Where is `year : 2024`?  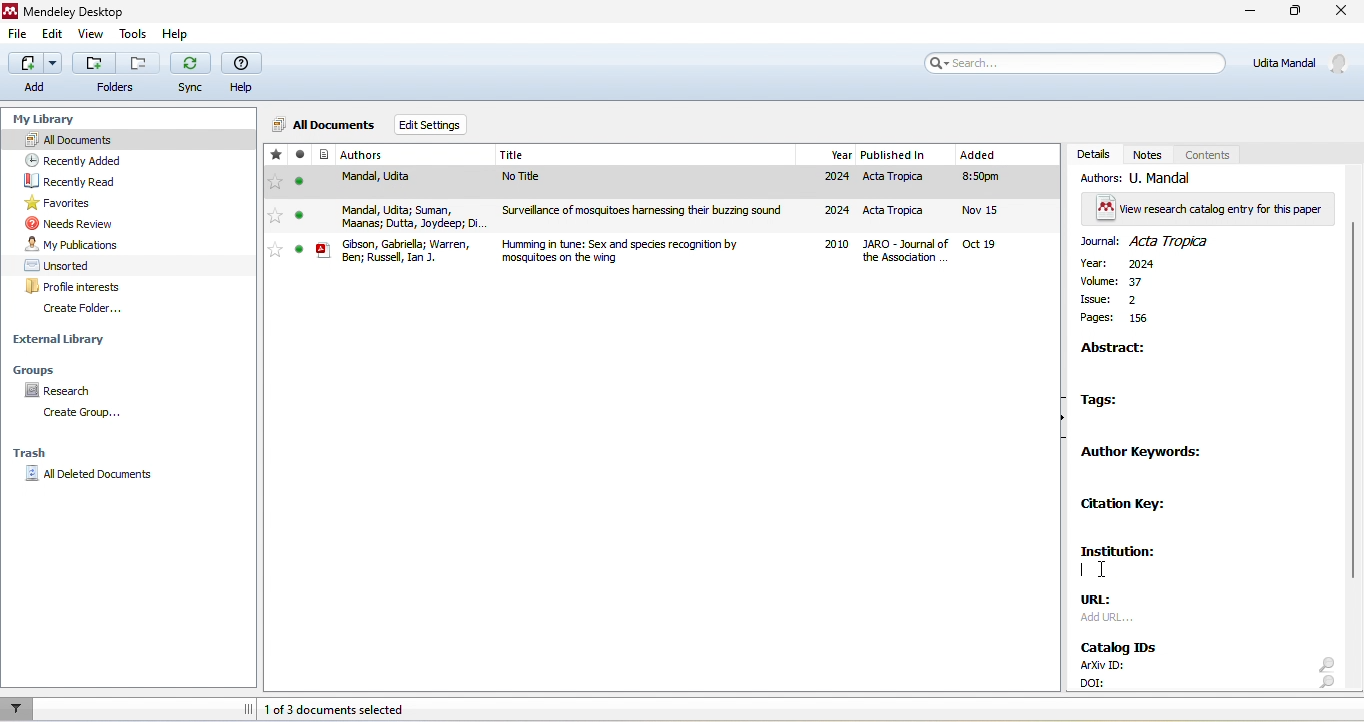
year : 2024 is located at coordinates (1122, 265).